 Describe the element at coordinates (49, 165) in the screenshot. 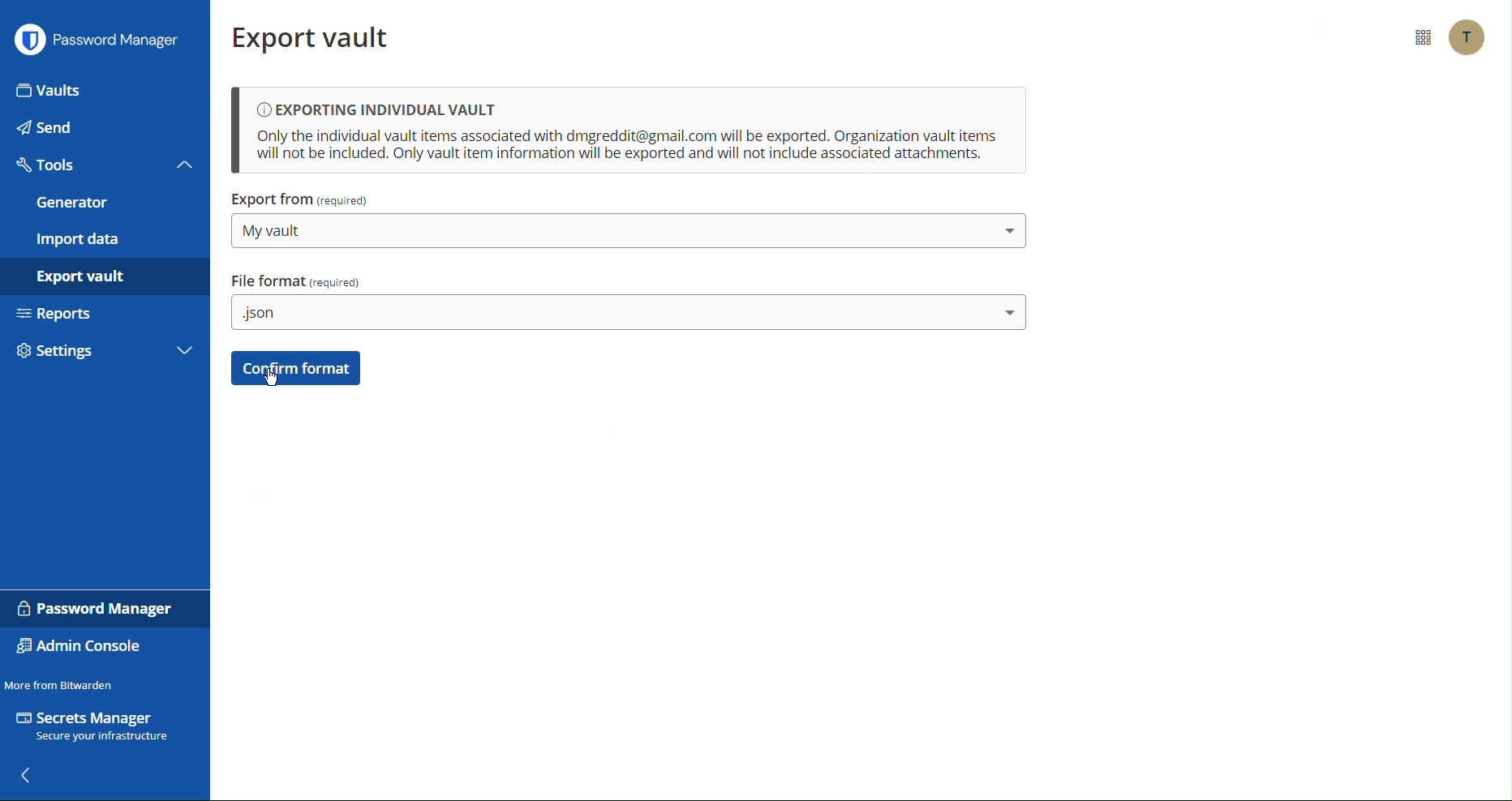

I see `Tools` at that location.